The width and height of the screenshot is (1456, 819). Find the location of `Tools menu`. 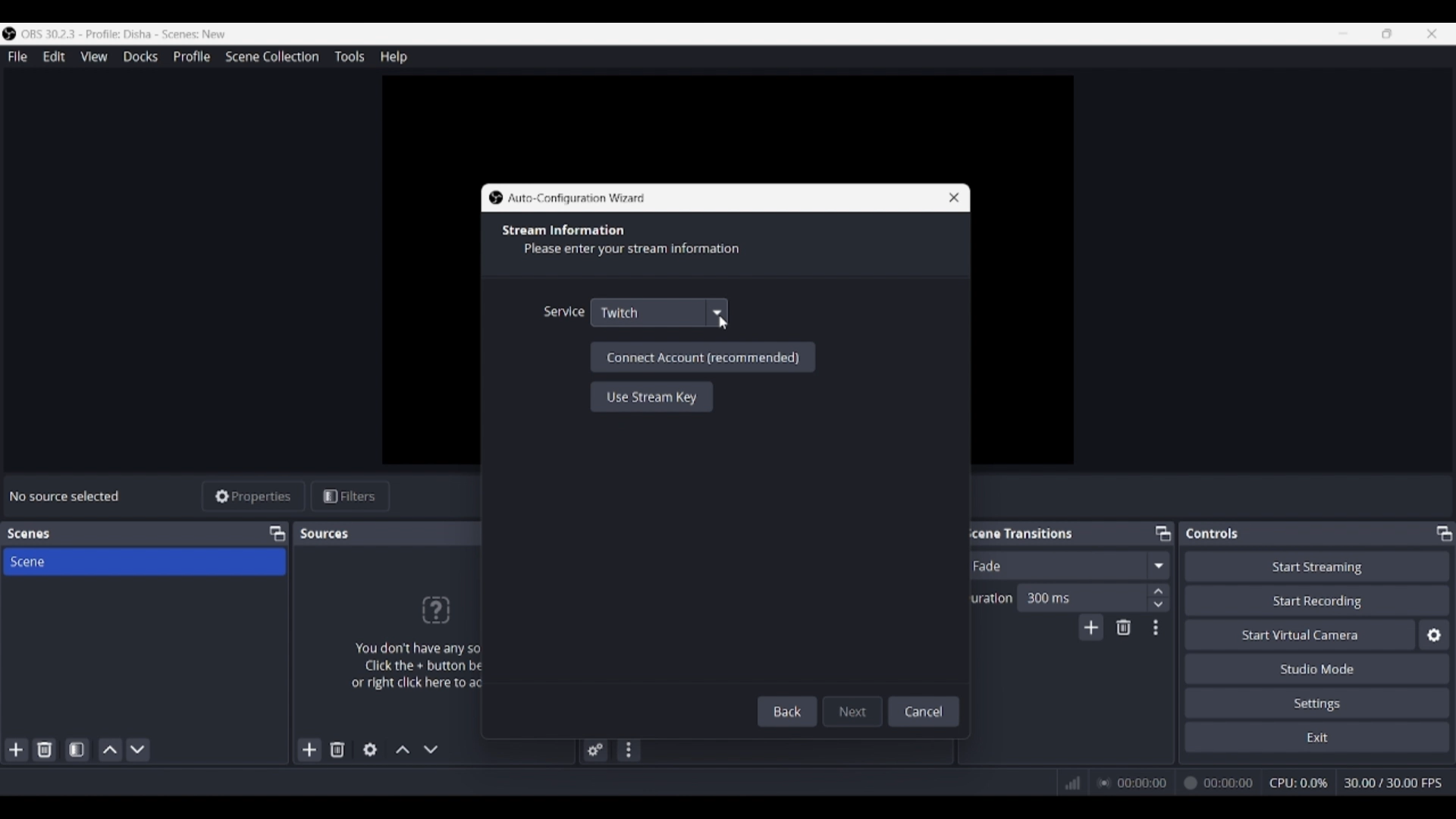

Tools menu is located at coordinates (349, 56).